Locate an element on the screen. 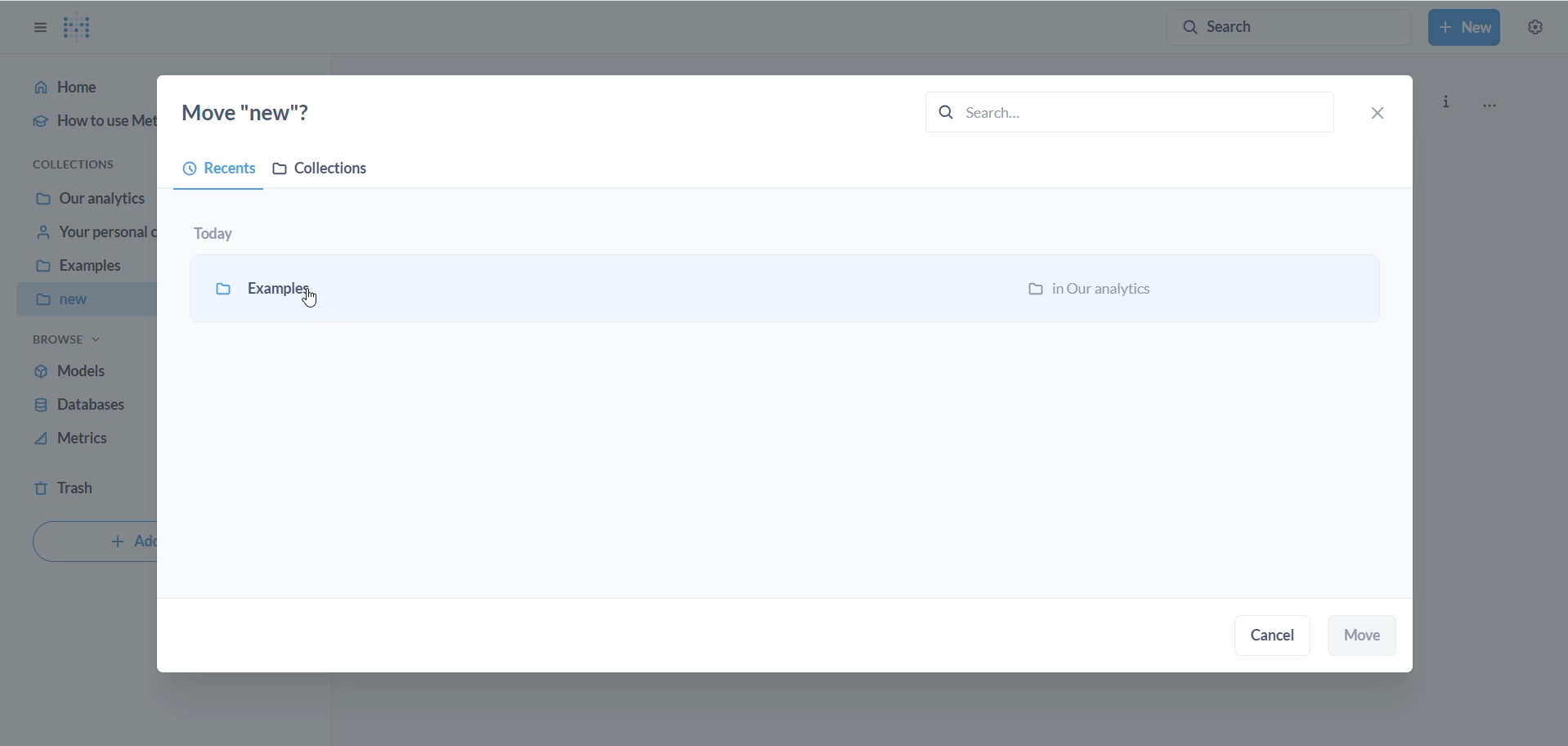 This screenshot has width=1568, height=746. Move "new"? is located at coordinates (263, 110).